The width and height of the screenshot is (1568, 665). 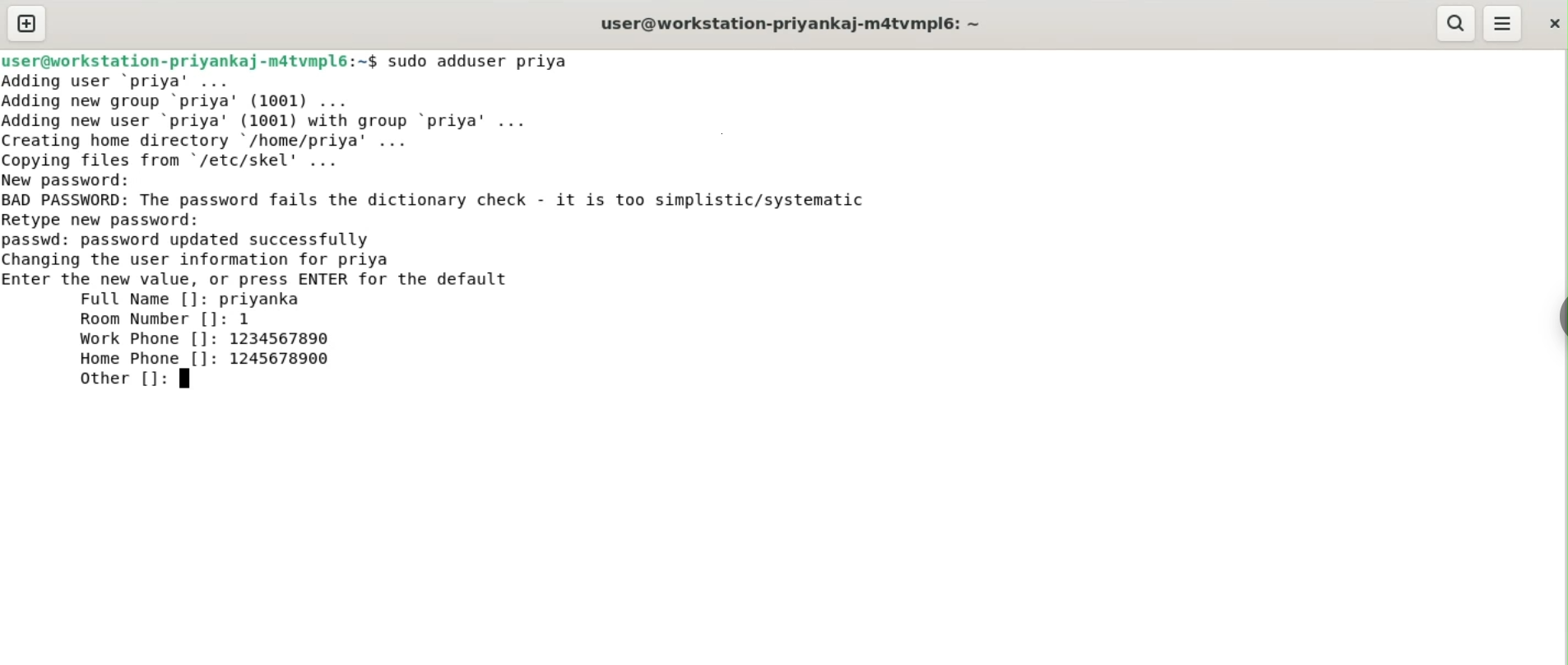 What do you see at coordinates (264, 299) in the screenshot?
I see `priyanka` at bounding box center [264, 299].